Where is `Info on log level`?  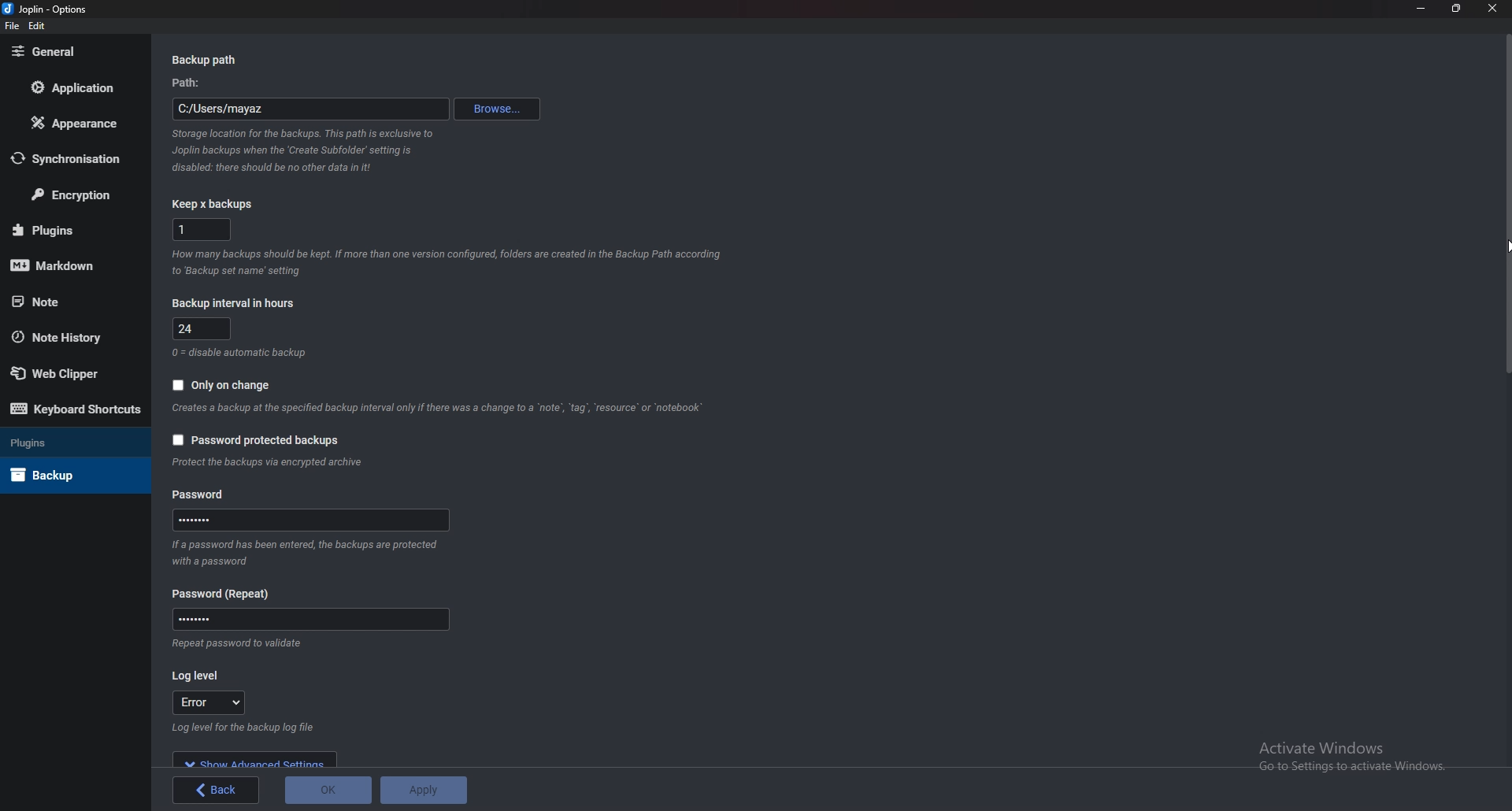 Info on log level is located at coordinates (250, 728).